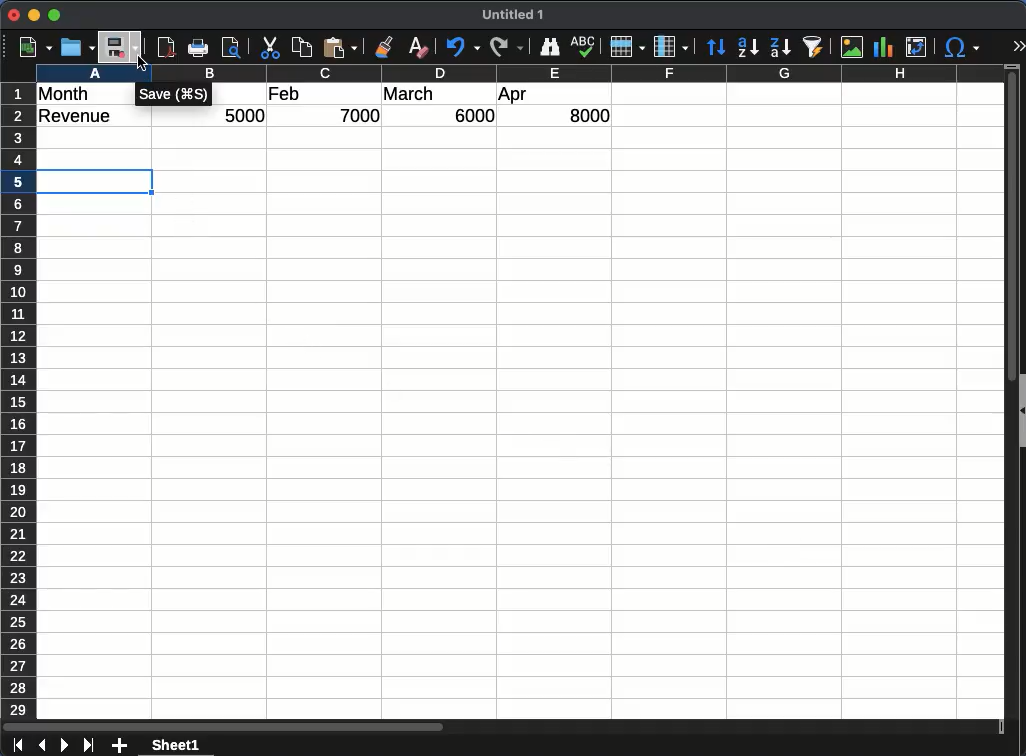 This screenshot has height=756, width=1026. What do you see at coordinates (550, 47) in the screenshot?
I see `finder` at bounding box center [550, 47].